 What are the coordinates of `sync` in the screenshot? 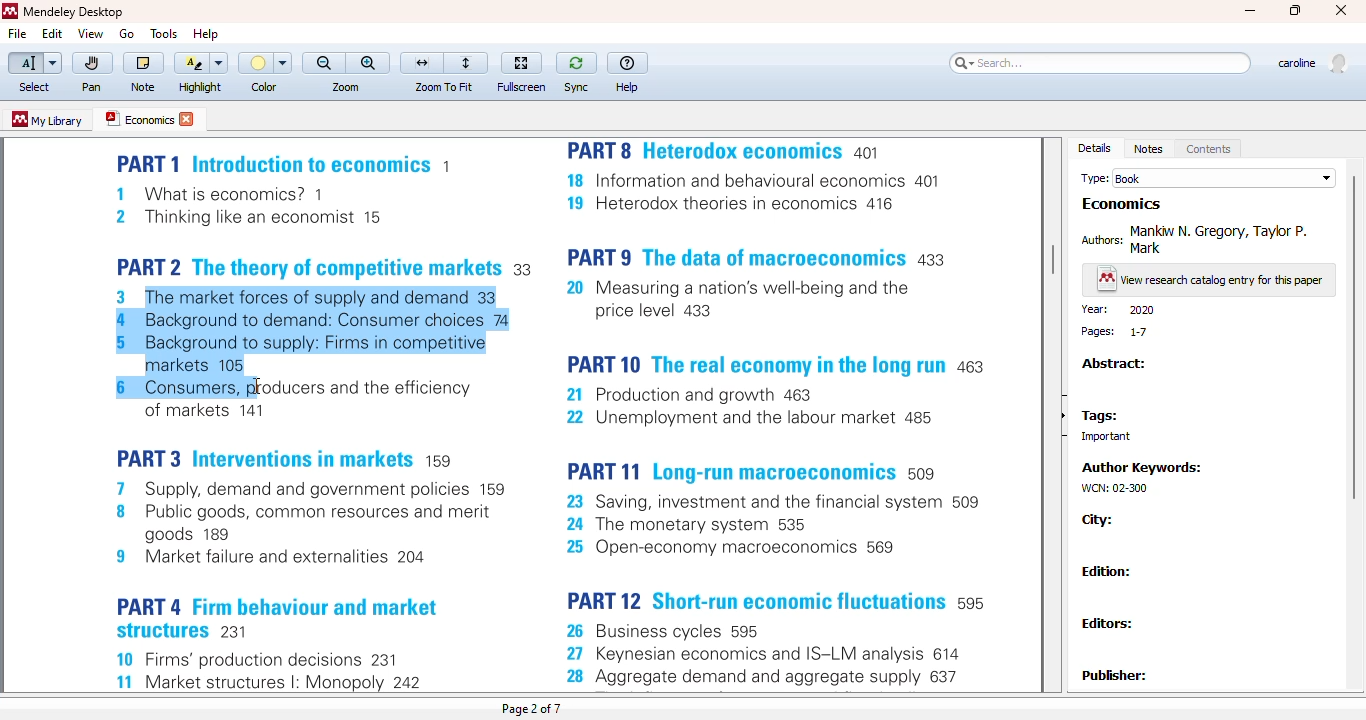 It's located at (576, 87).